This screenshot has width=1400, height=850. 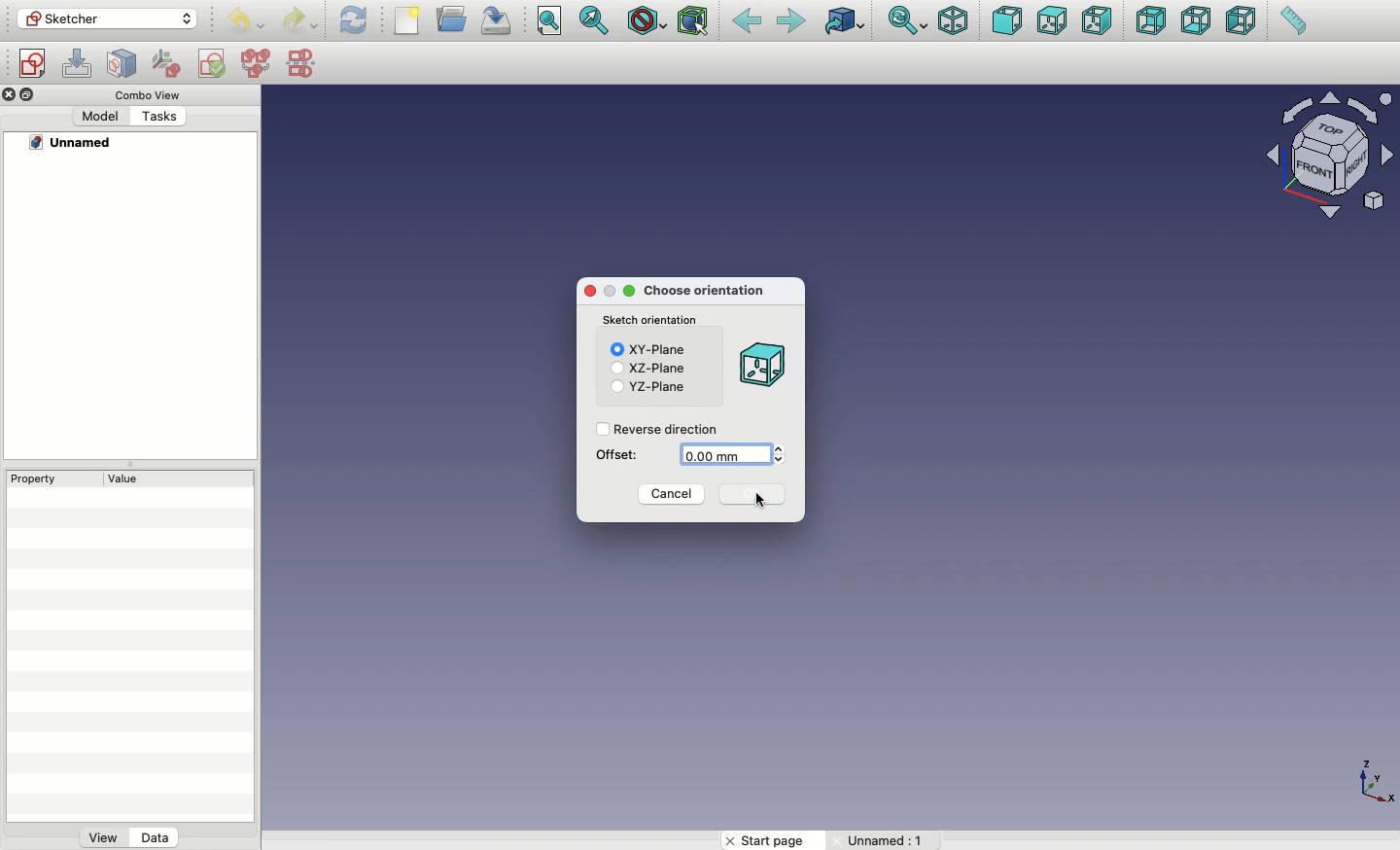 What do you see at coordinates (730, 454) in the screenshot?
I see `Text` at bounding box center [730, 454].